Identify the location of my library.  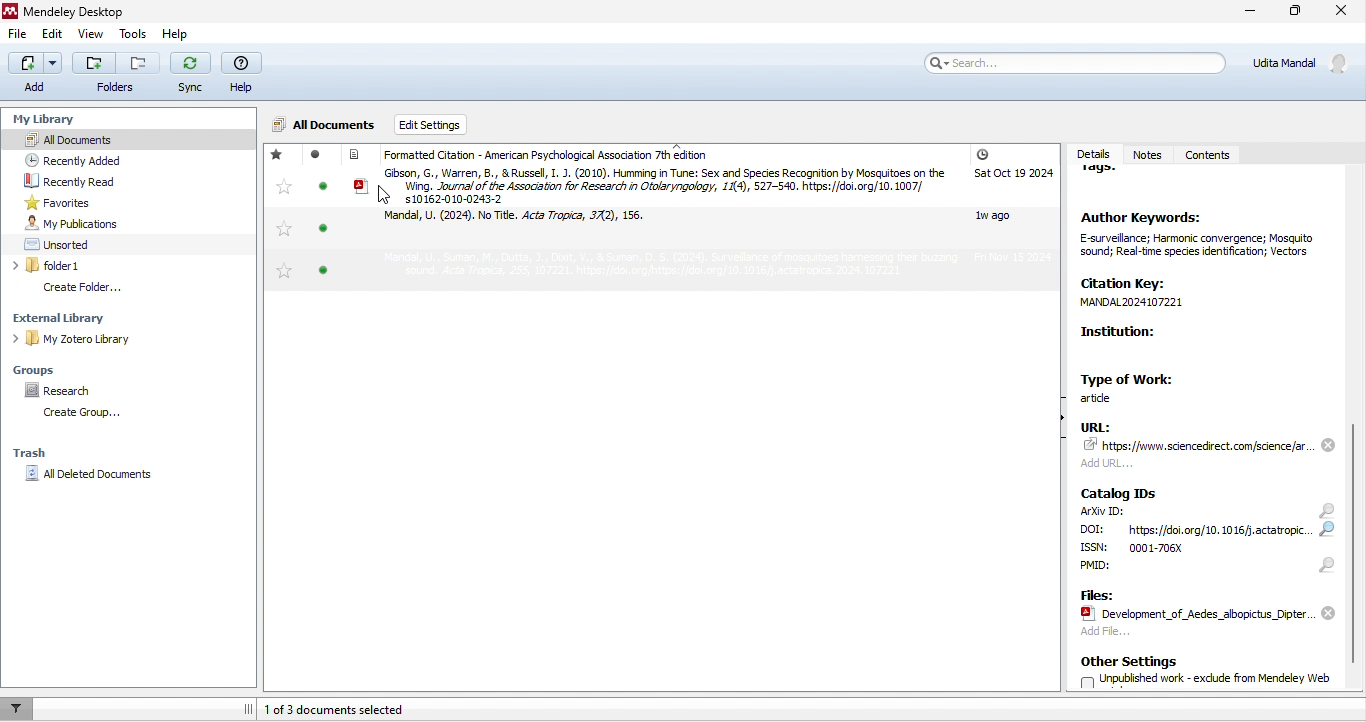
(41, 115).